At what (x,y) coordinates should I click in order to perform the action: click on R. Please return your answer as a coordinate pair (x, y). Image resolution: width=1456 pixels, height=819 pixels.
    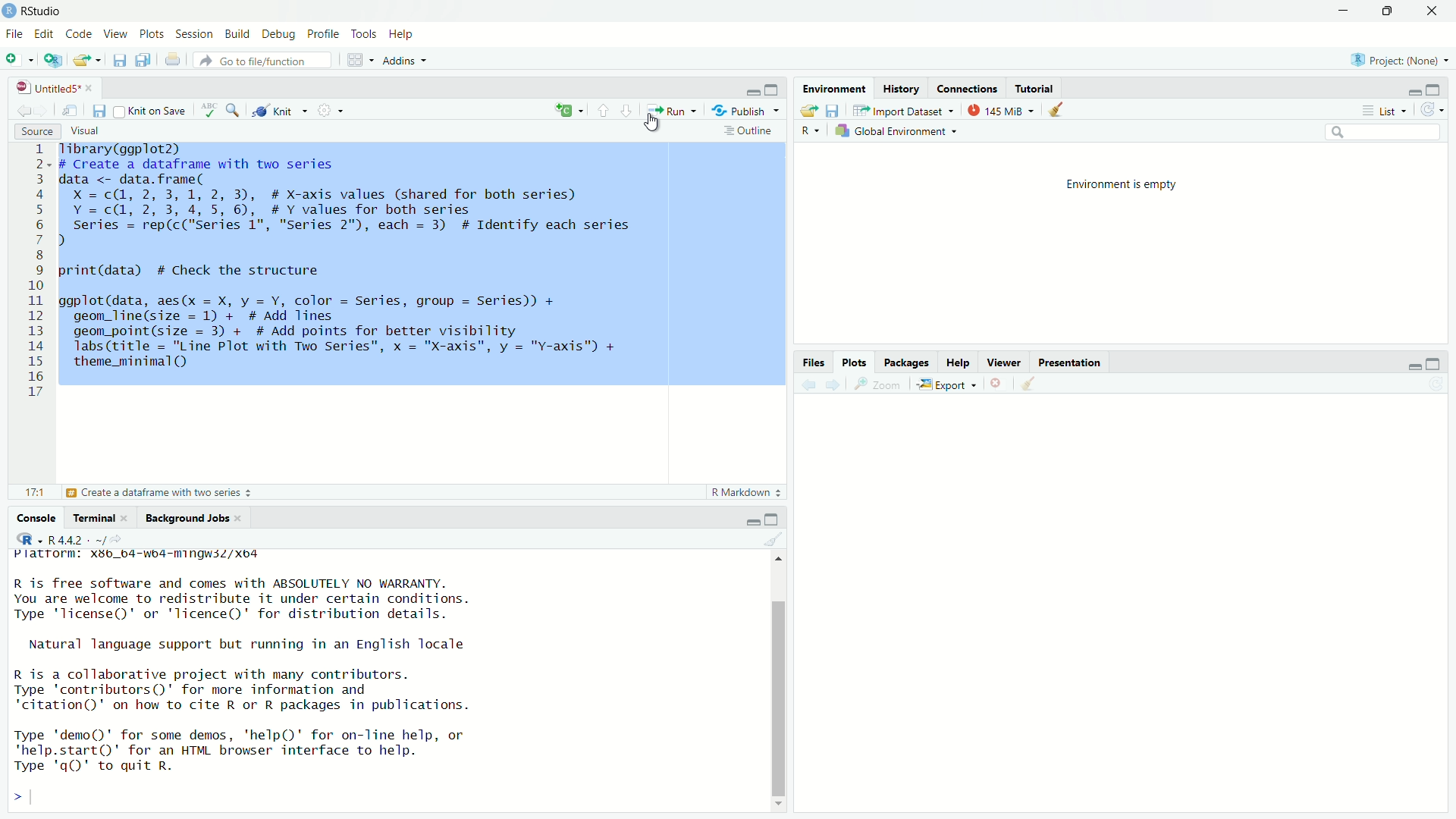
    Looking at the image, I should click on (811, 132).